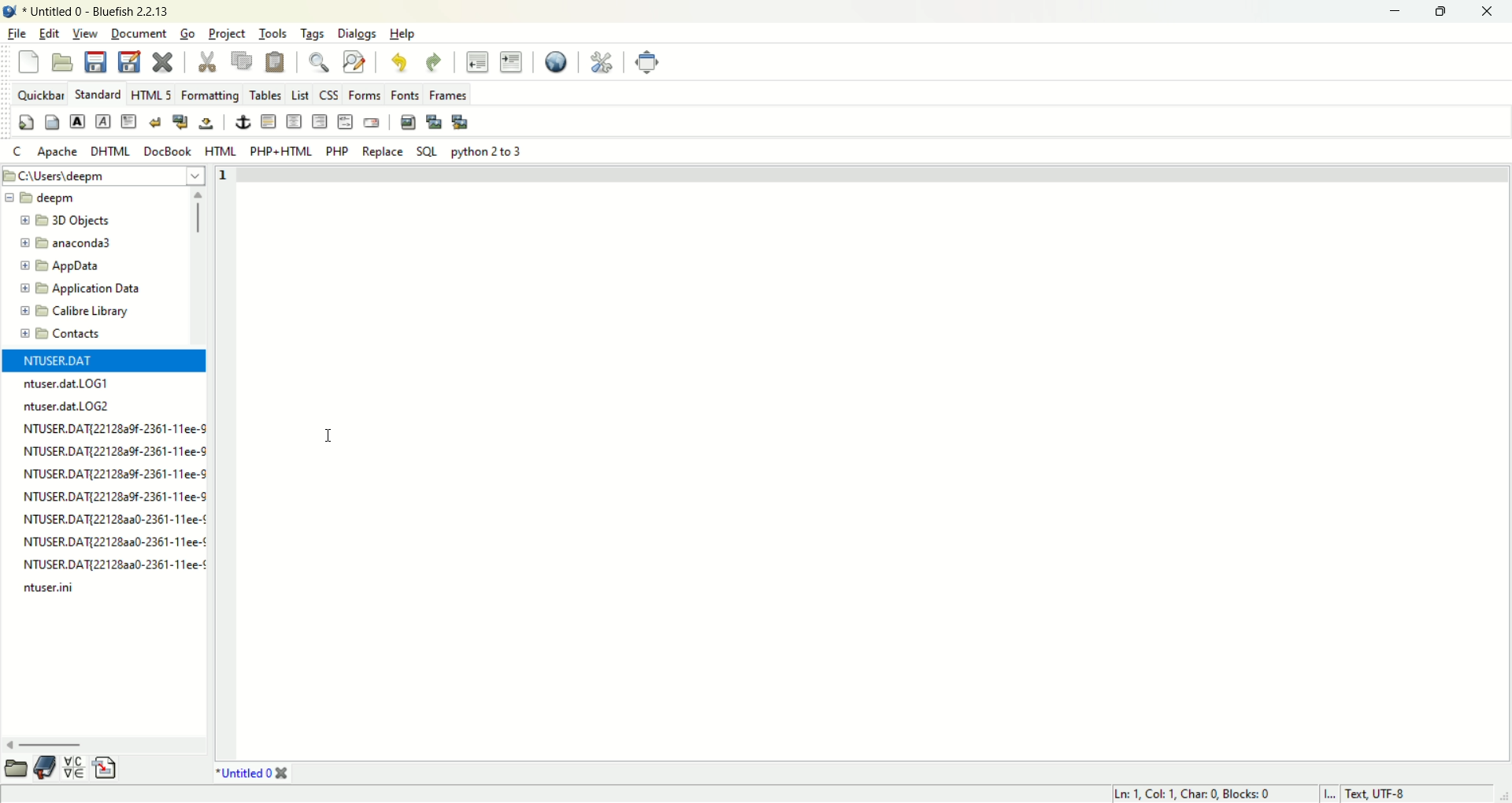 Image resolution: width=1512 pixels, height=803 pixels. What do you see at coordinates (276, 63) in the screenshot?
I see `paste` at bounding box center [276, 63].